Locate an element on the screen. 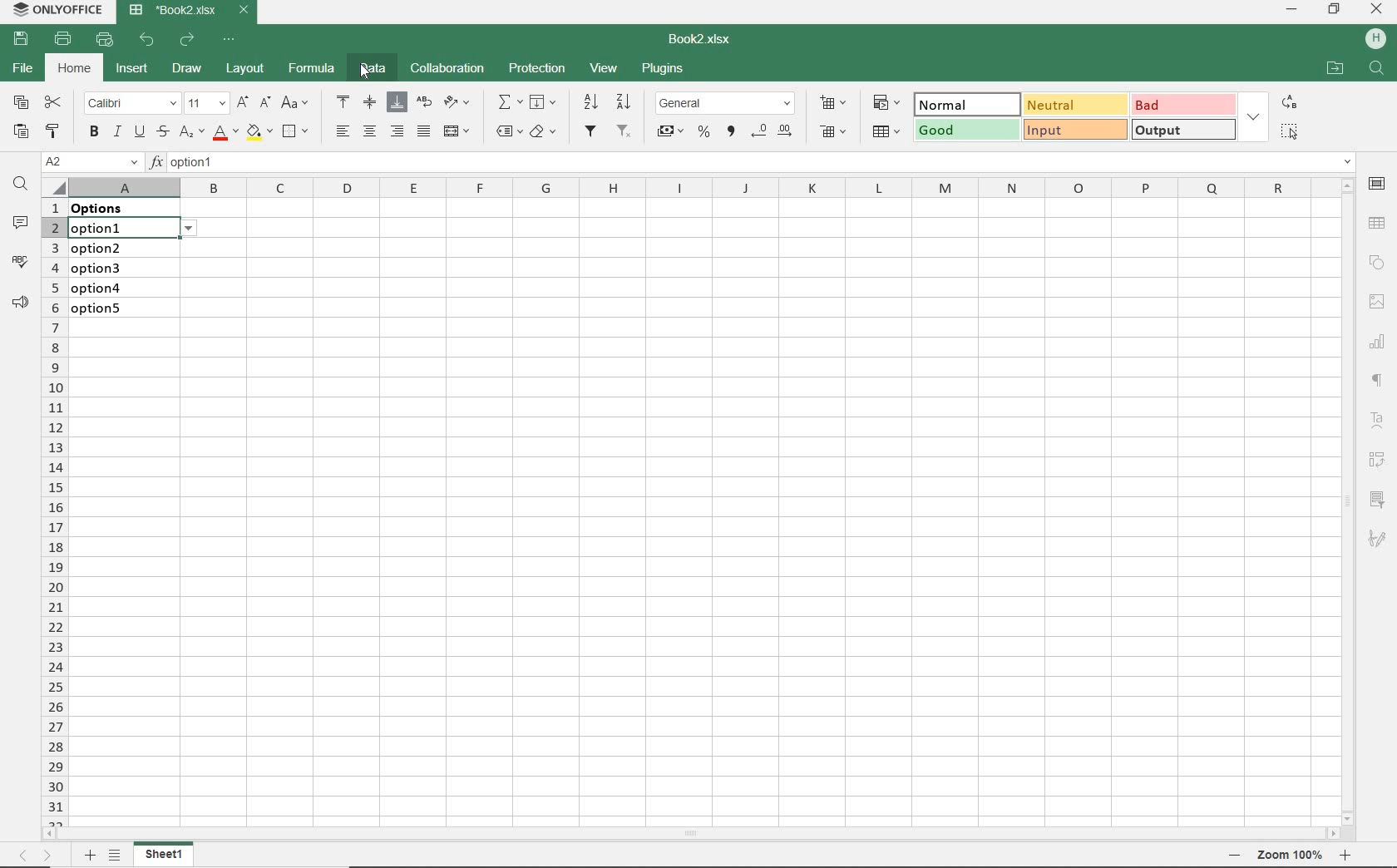 Image resolution: width=1397 pixels, height=868 pixels. NUMBER FORMAT is located at coordinates (726, 106).